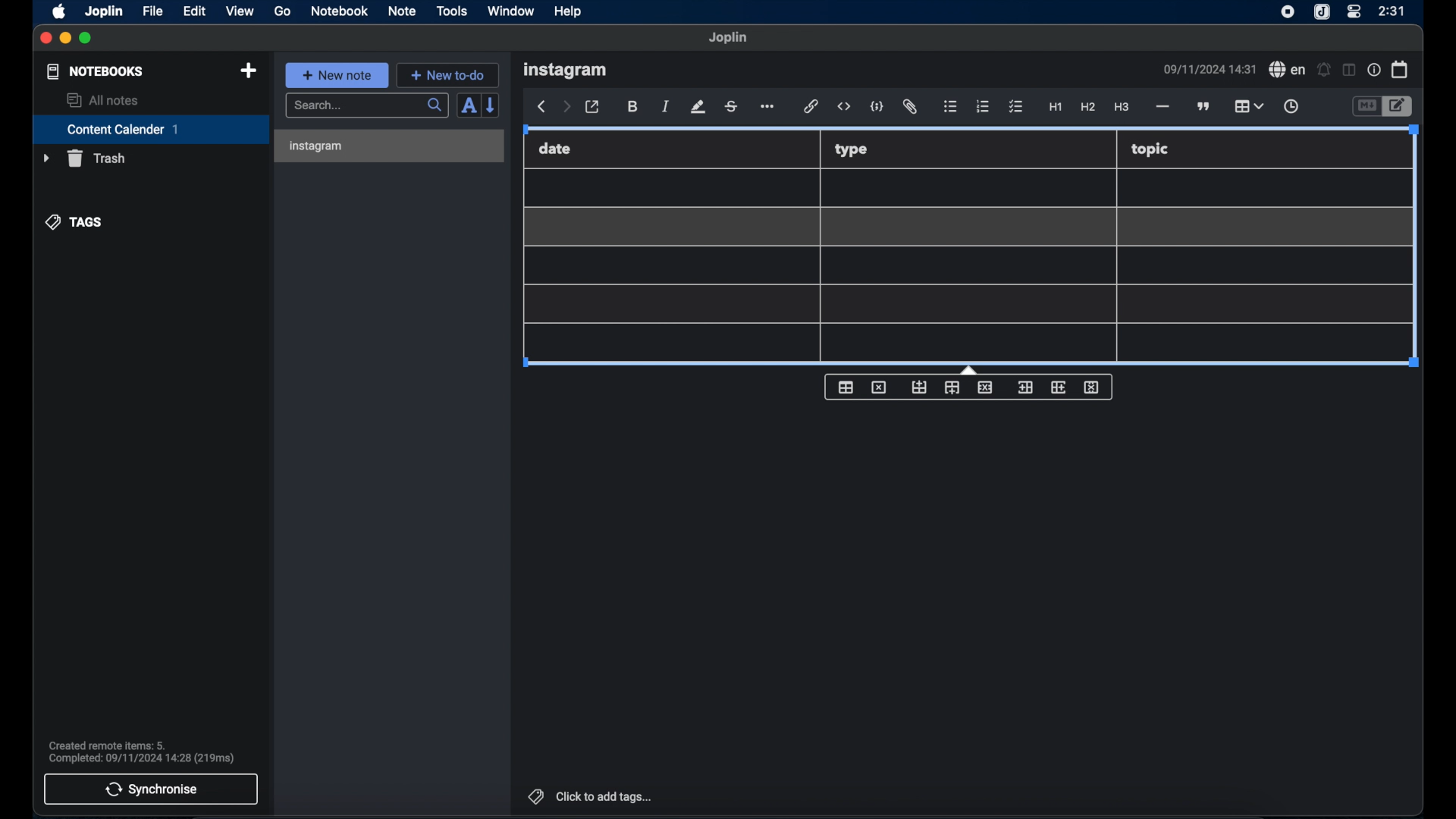 This screenshot has width=1456, height=819. I want to click on heading 3, so click(1122, 108).